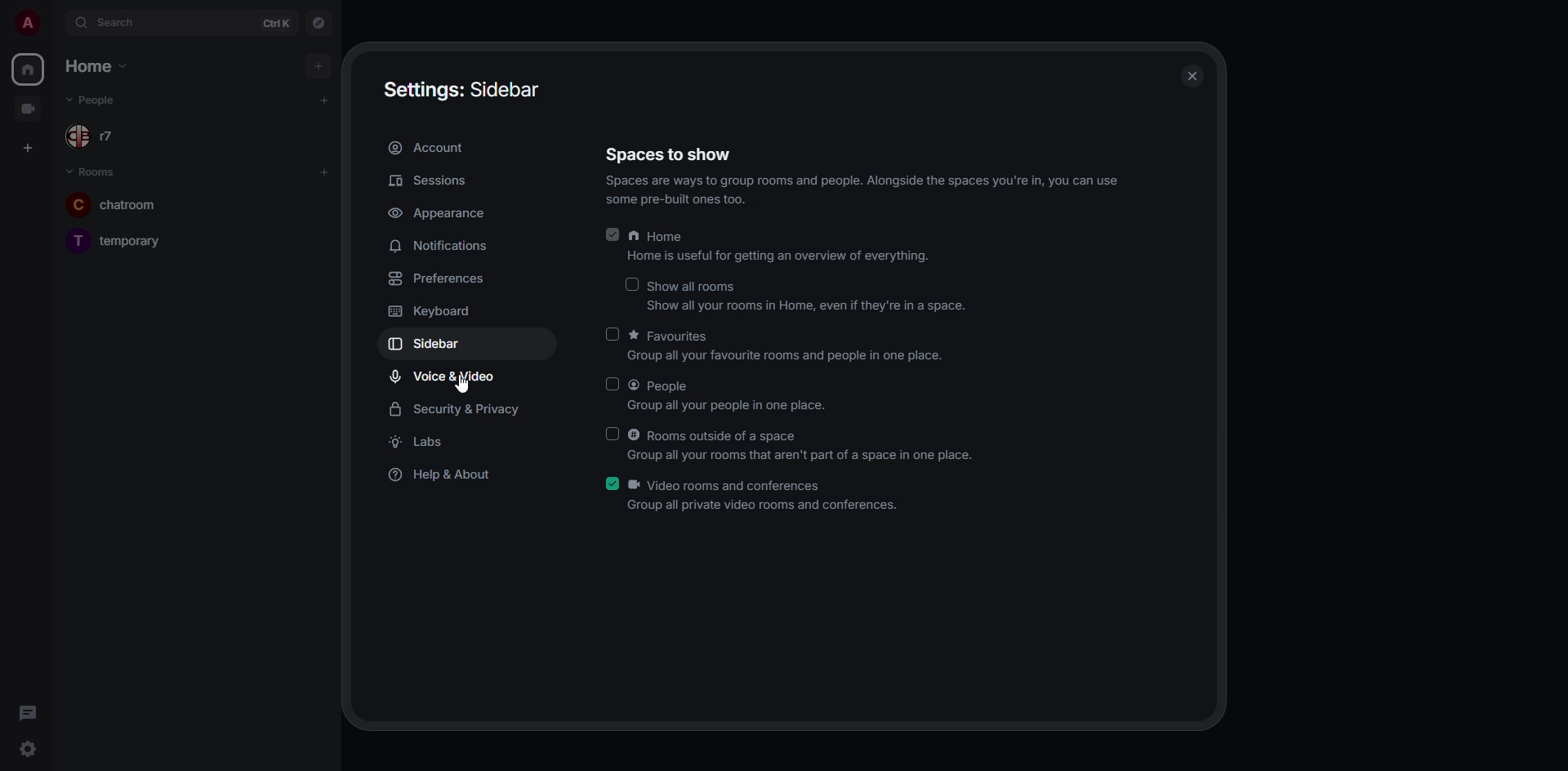  Describe the element at coordinates (420, 442) in the screenshot. I see `labs` at that location.